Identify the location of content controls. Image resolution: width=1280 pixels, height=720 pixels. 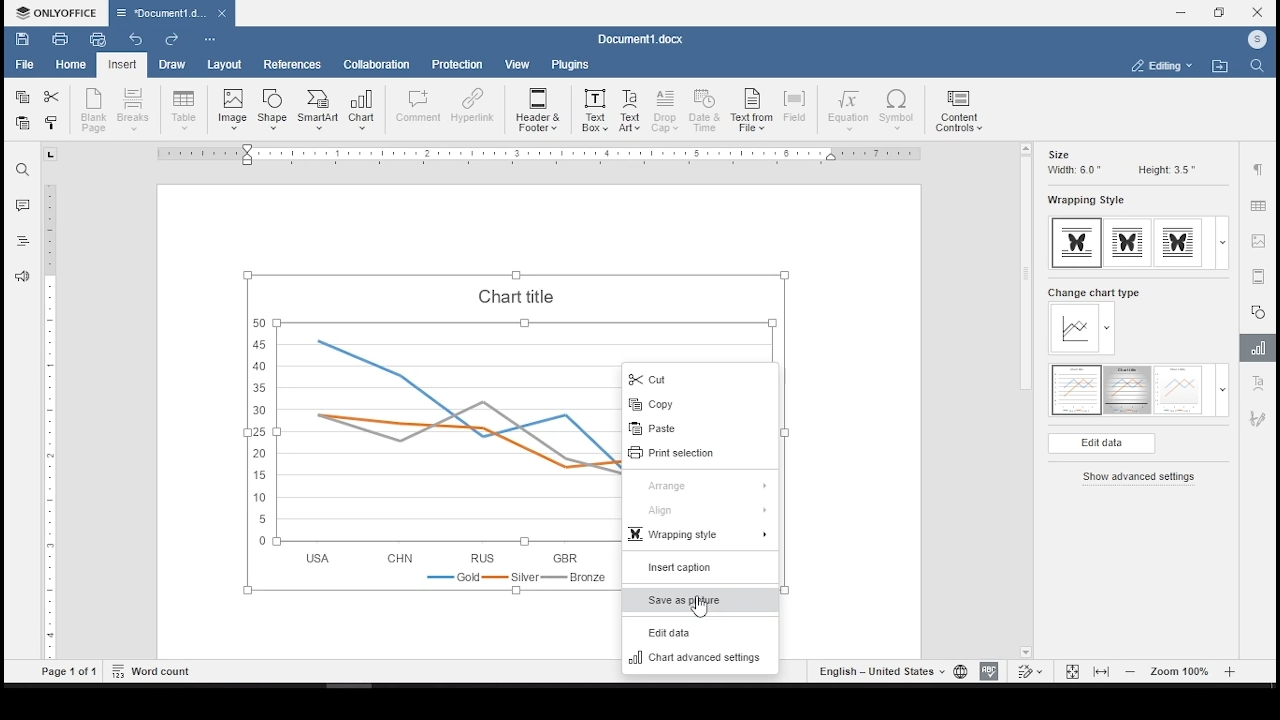
(961, 111).